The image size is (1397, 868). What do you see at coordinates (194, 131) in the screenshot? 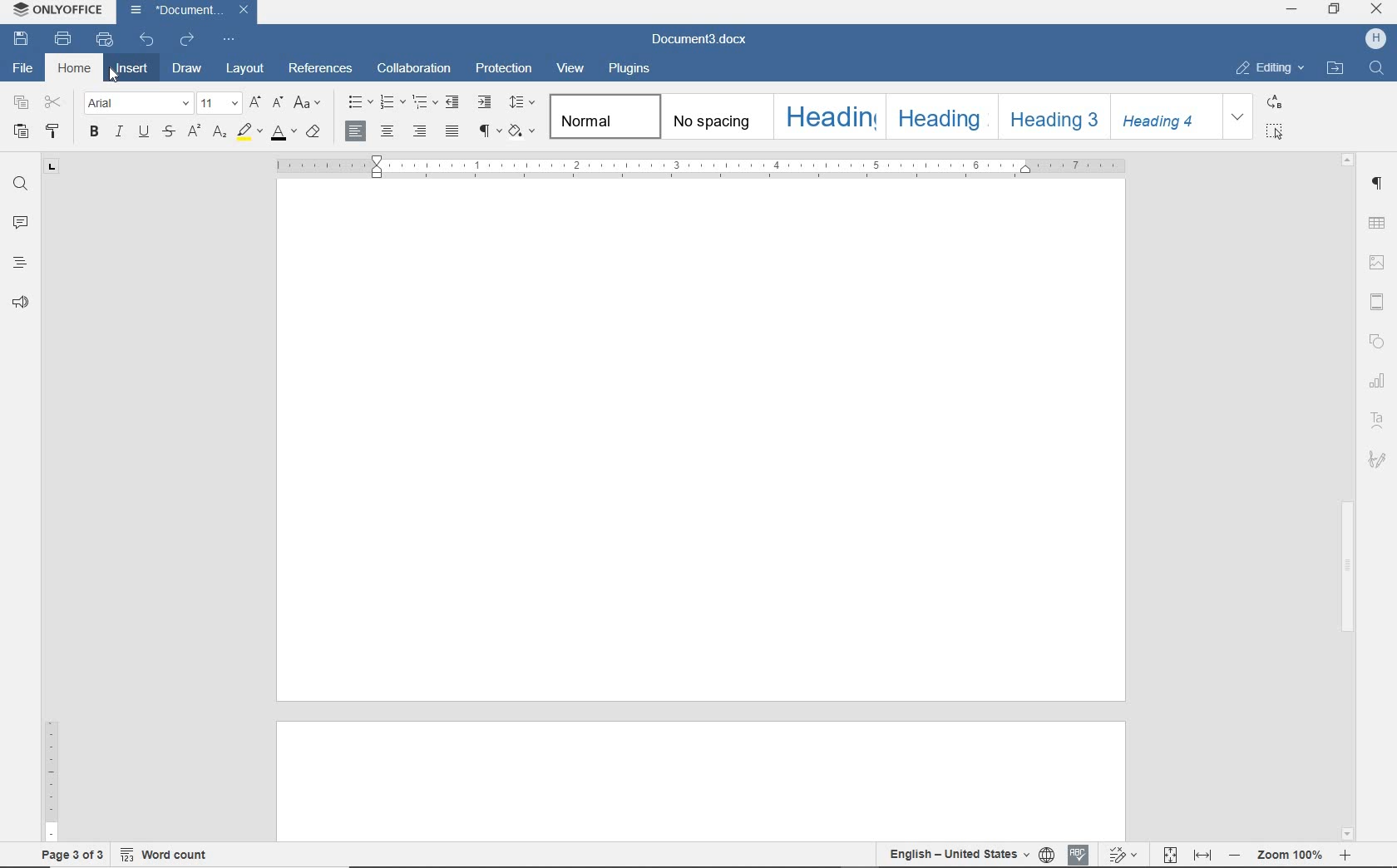
I see `SUPERSCRIPT` at bounding box center [194, 131].